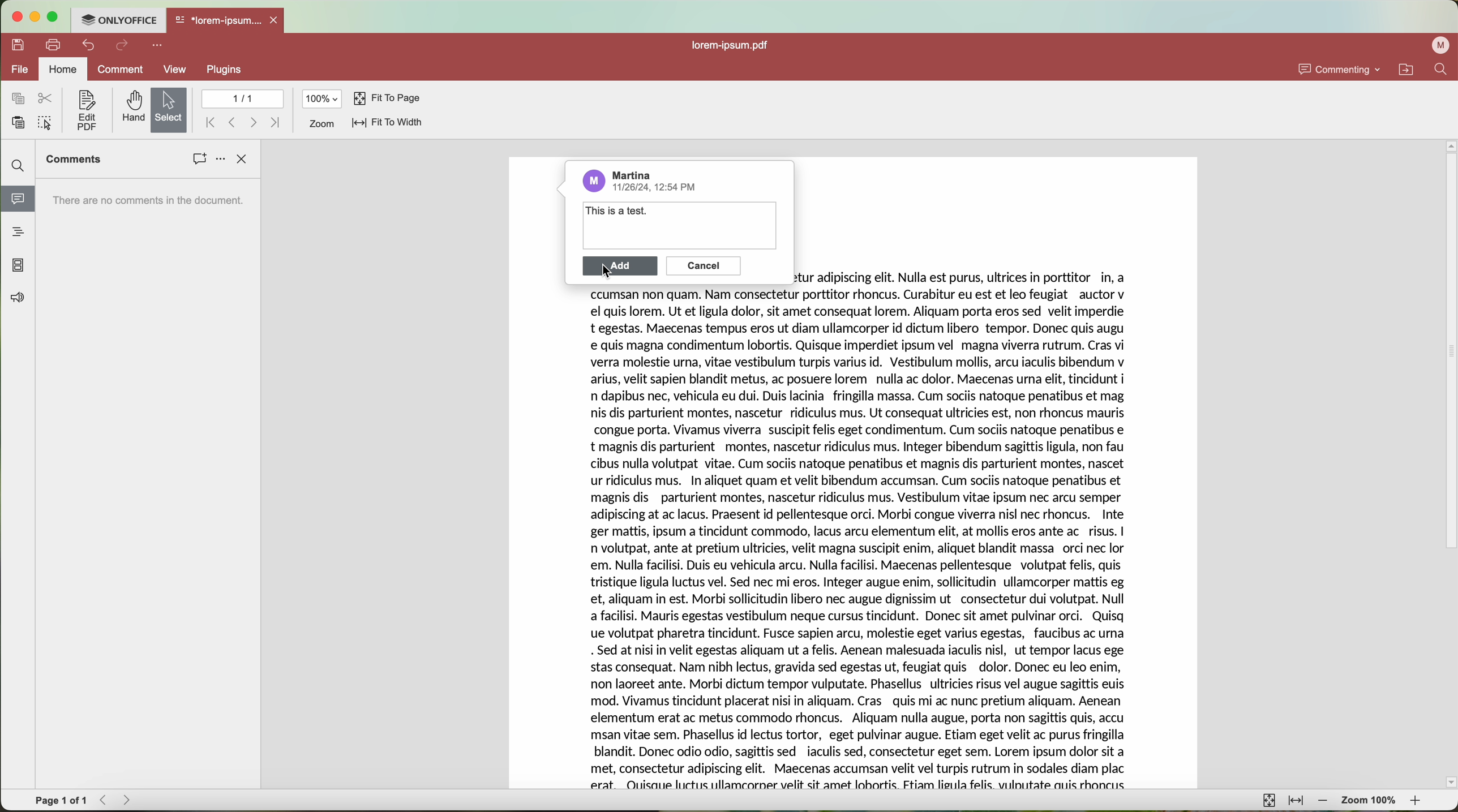  What do you see at coordinates (322, 98) in the screenshot?
I see `100%` at bounding box center [322, 98].